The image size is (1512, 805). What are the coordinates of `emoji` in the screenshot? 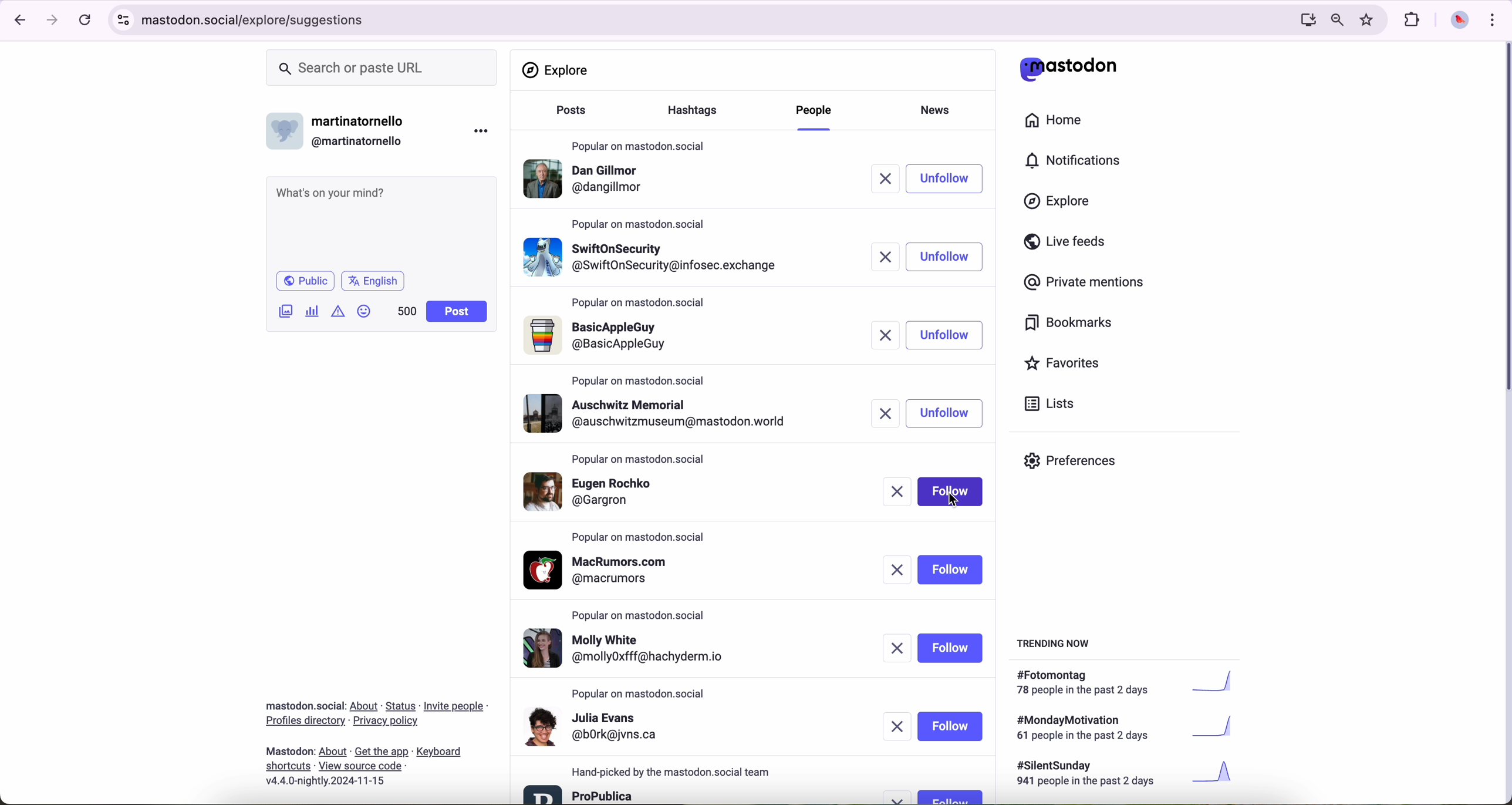 It's located at (365, 311).